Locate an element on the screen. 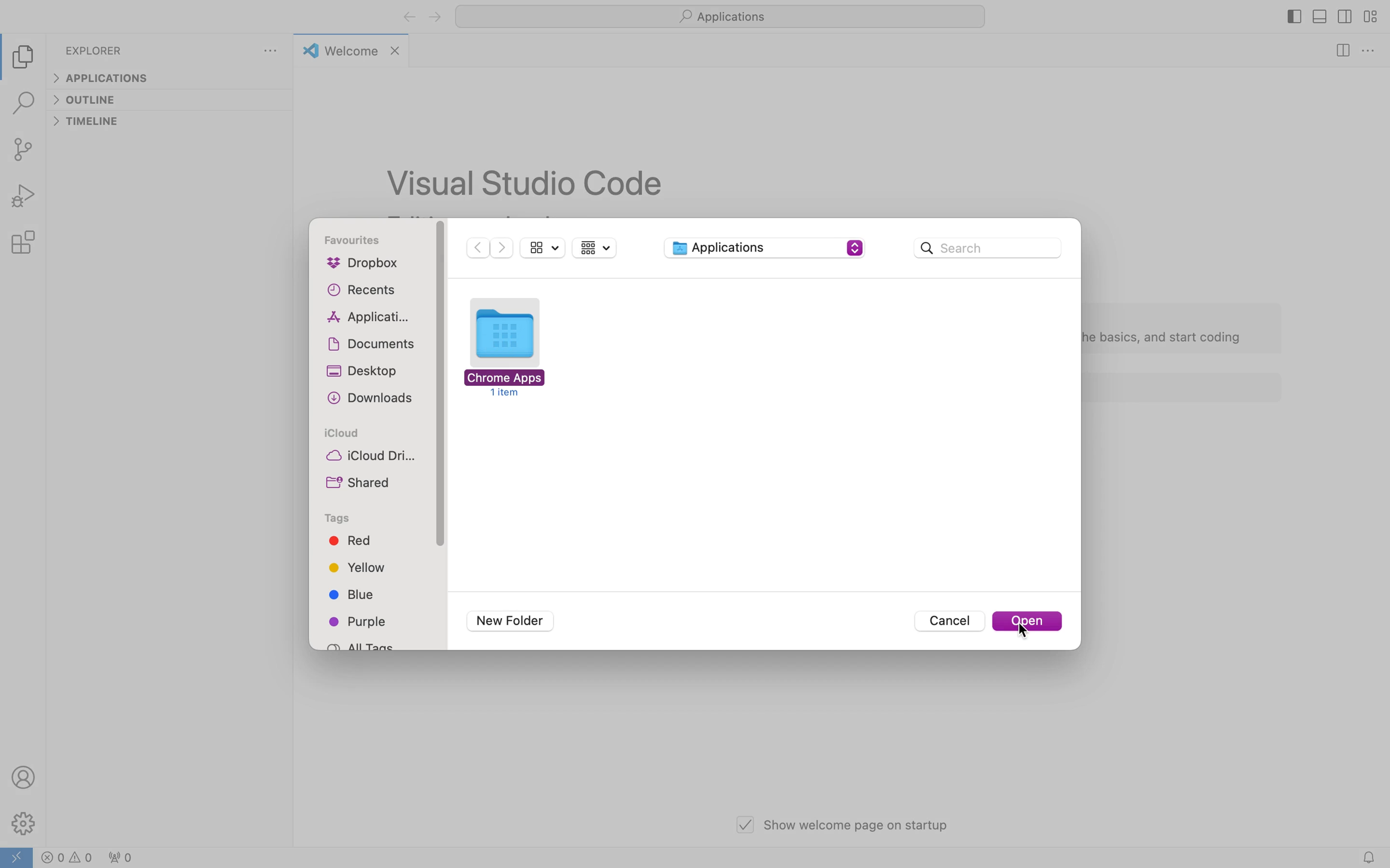  arrow buttons is located at coordinates (491, 249).